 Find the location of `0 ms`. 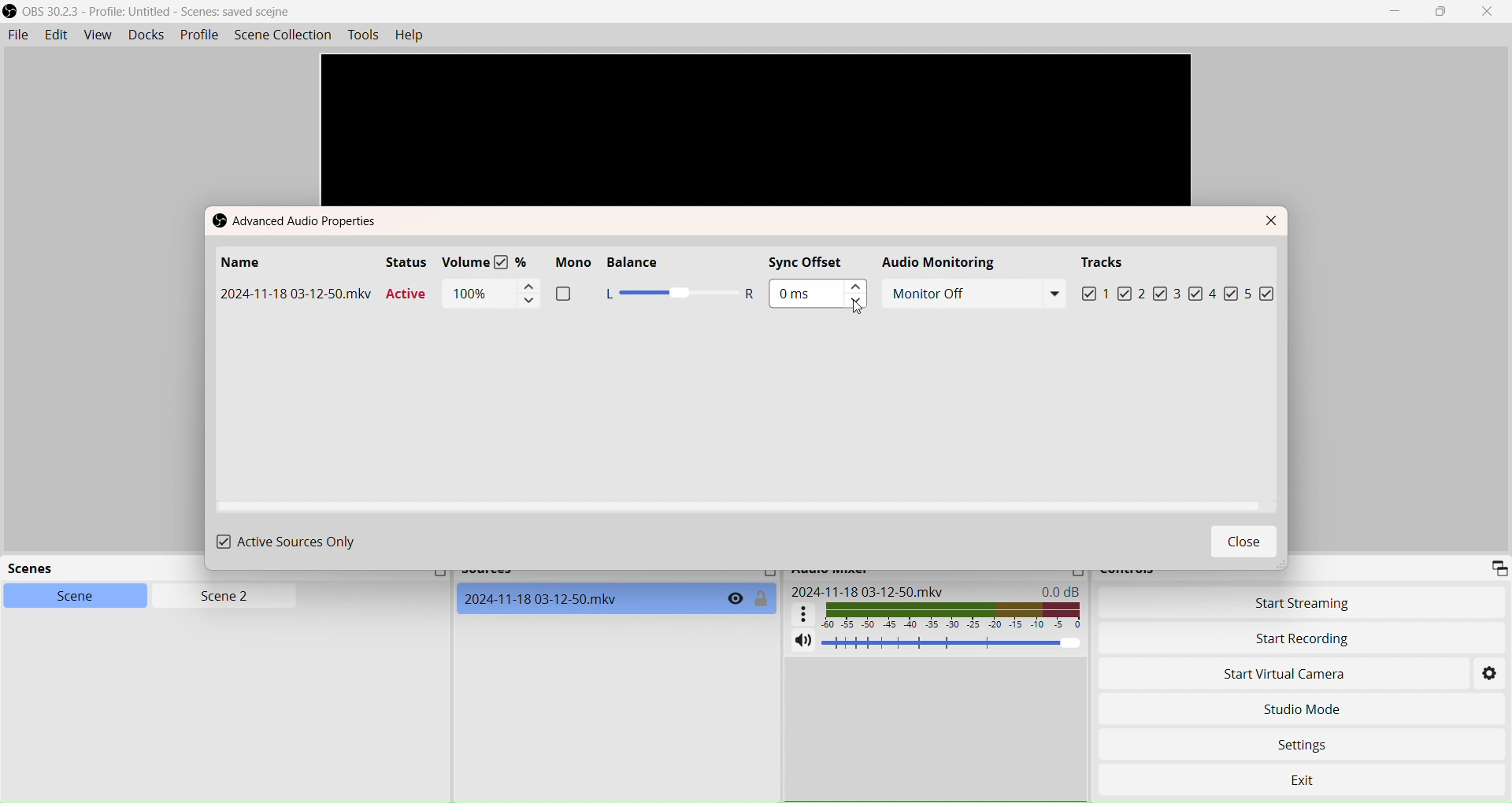

0 ms is located at coordinates (796, 292).